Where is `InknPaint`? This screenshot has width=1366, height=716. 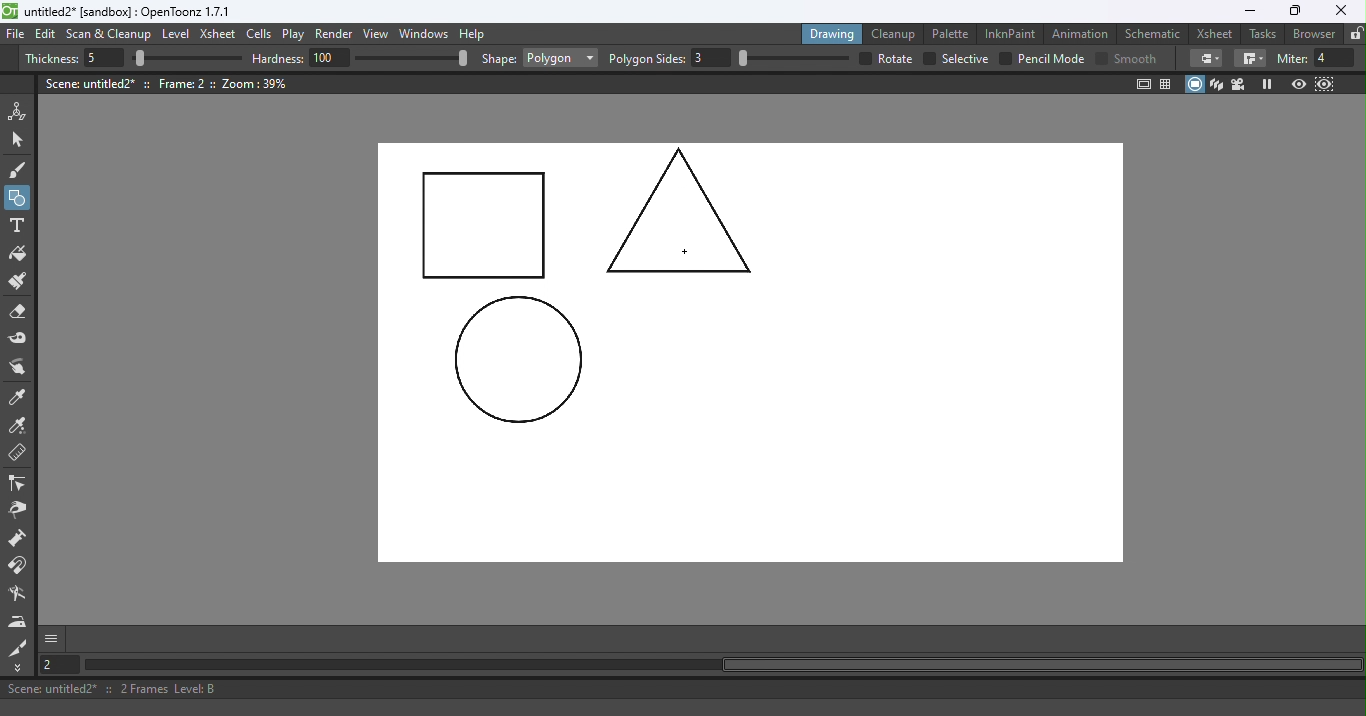 InknPaint is located at coordinates (1011, 32).